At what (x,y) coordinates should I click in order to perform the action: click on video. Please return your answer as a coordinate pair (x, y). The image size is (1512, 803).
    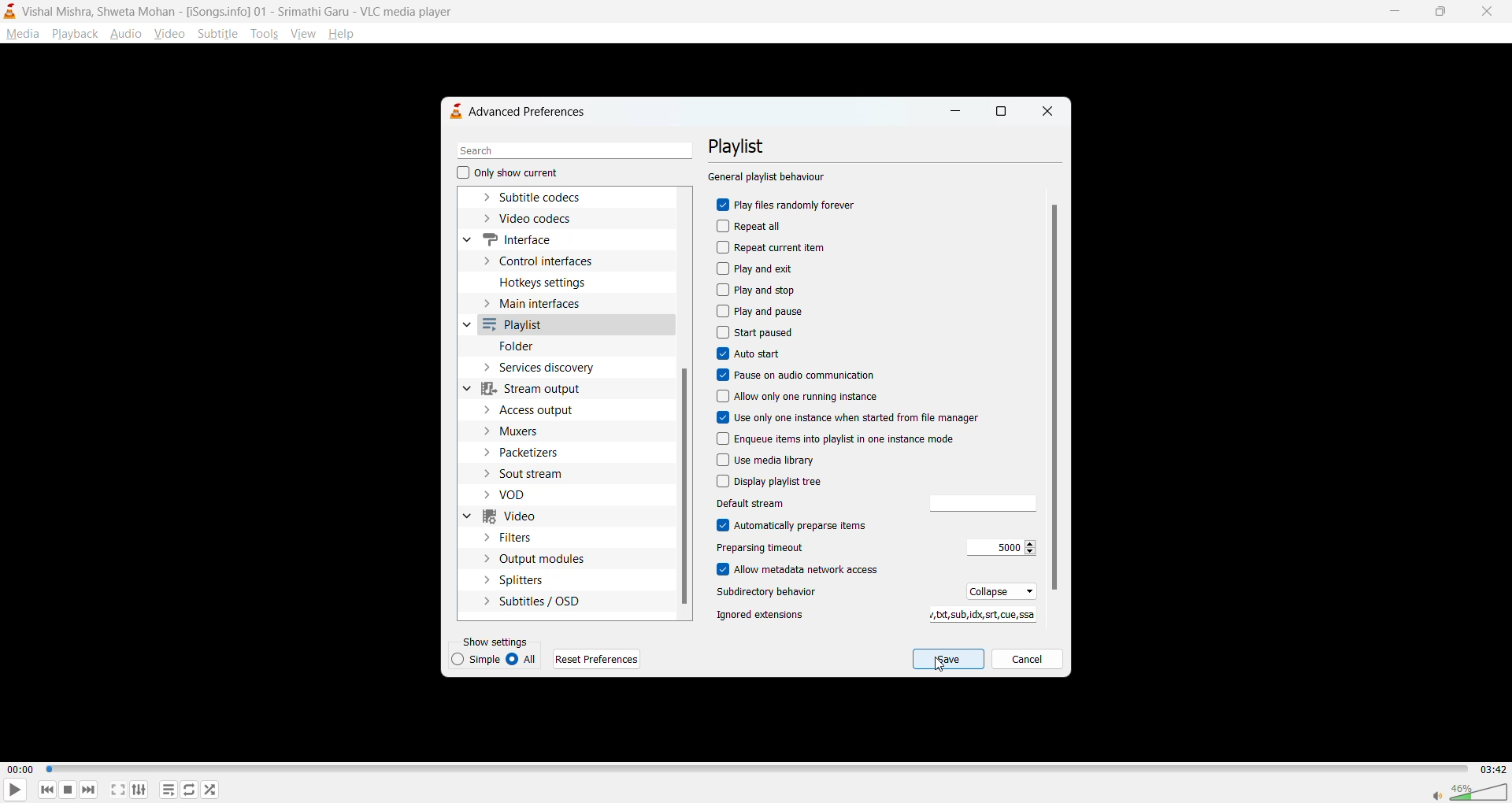
    Looking at the image, I should click on (517, 518).